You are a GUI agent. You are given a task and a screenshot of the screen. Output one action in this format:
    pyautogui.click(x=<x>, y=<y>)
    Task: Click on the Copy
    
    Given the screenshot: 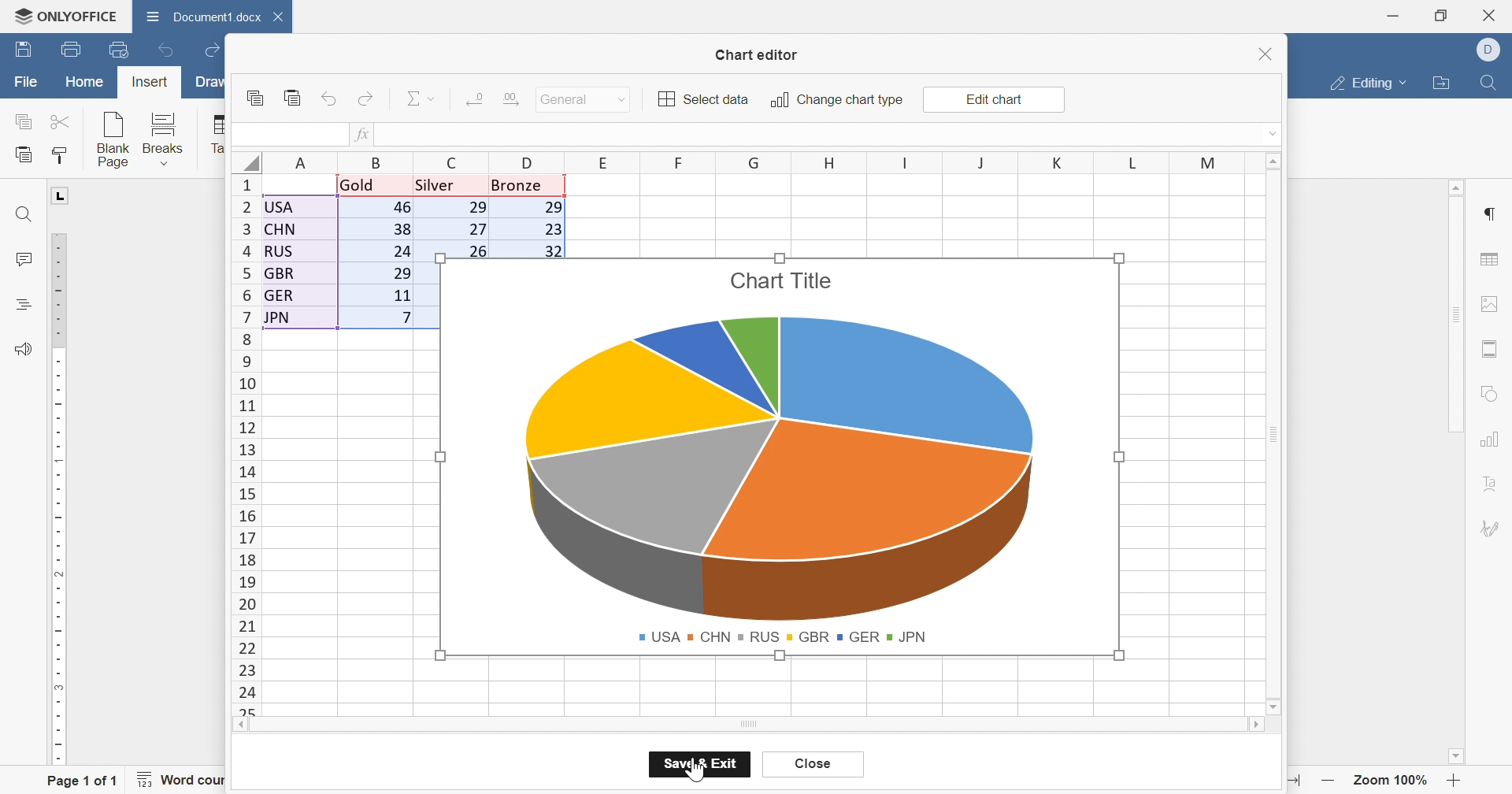 What is the action you would take?
    pyautogui.click(x=251, y=97)
    